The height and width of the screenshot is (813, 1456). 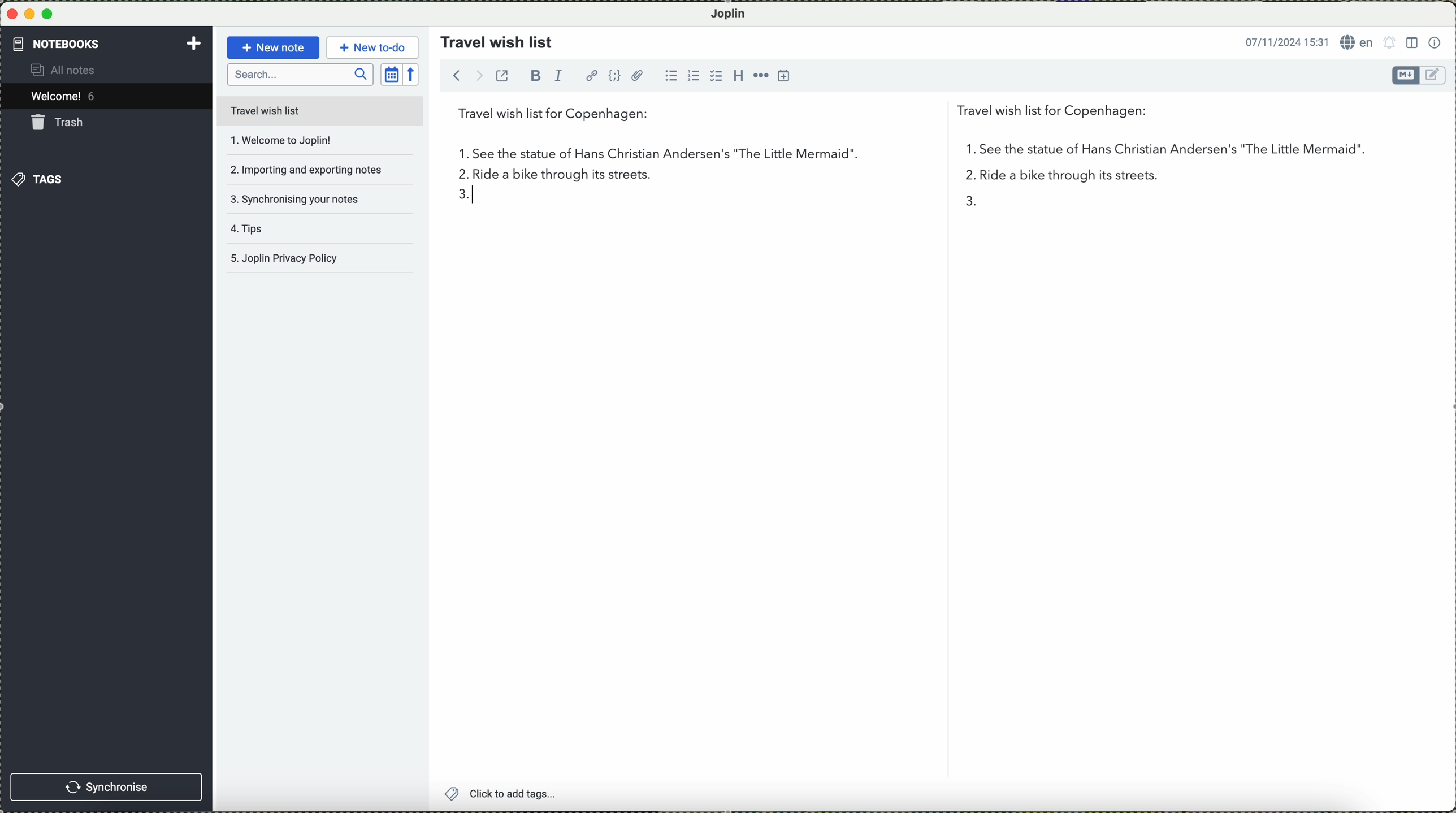 What do you see at coordinates (50, 14) in the screenshot?
I see `maximize` at bounding box center [50, 14].